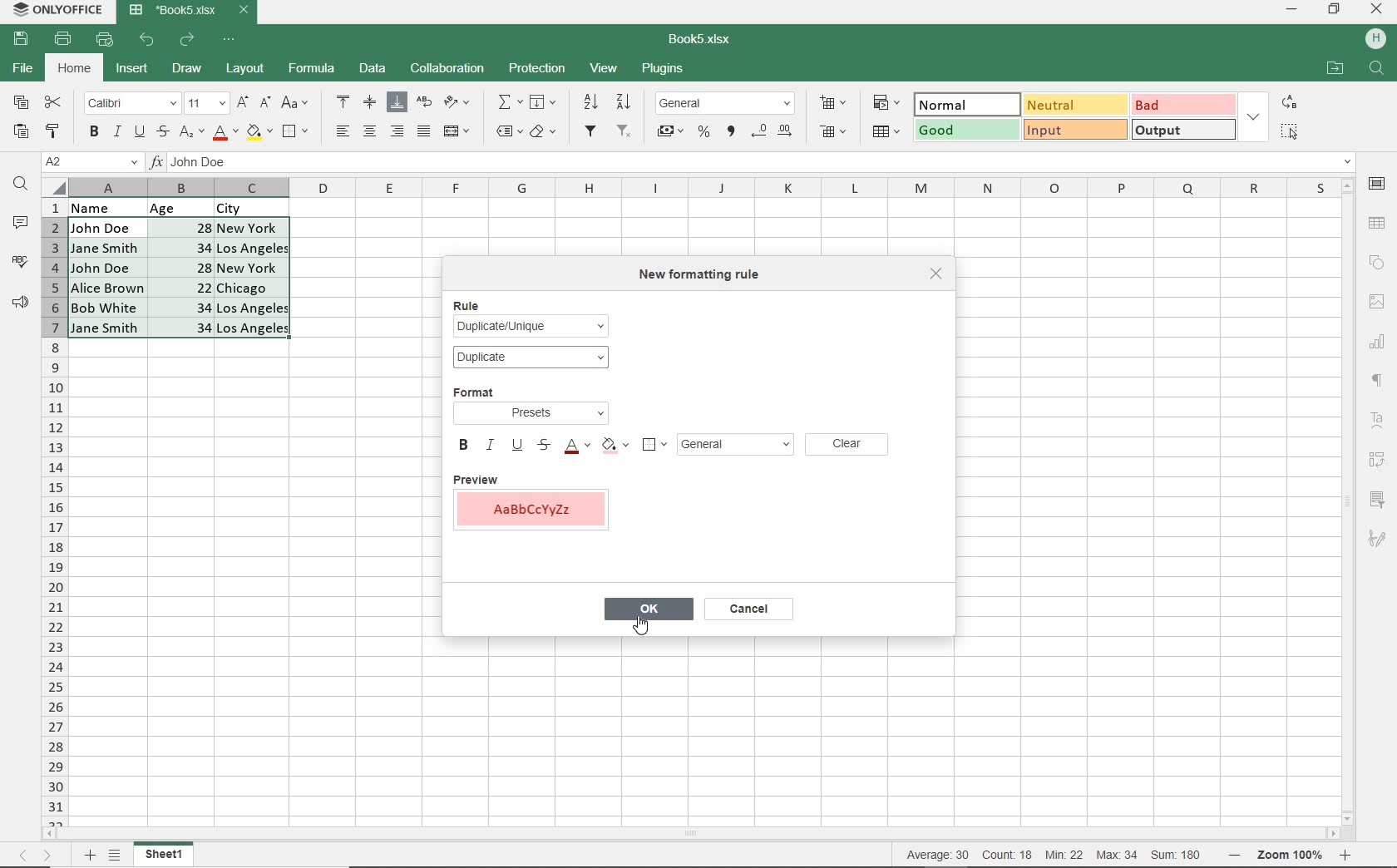 The image size is (1397, 868). What do you see at coordinates (130, 102) in the screenshot?
I see `FONT` at bounding box center [130, 102].